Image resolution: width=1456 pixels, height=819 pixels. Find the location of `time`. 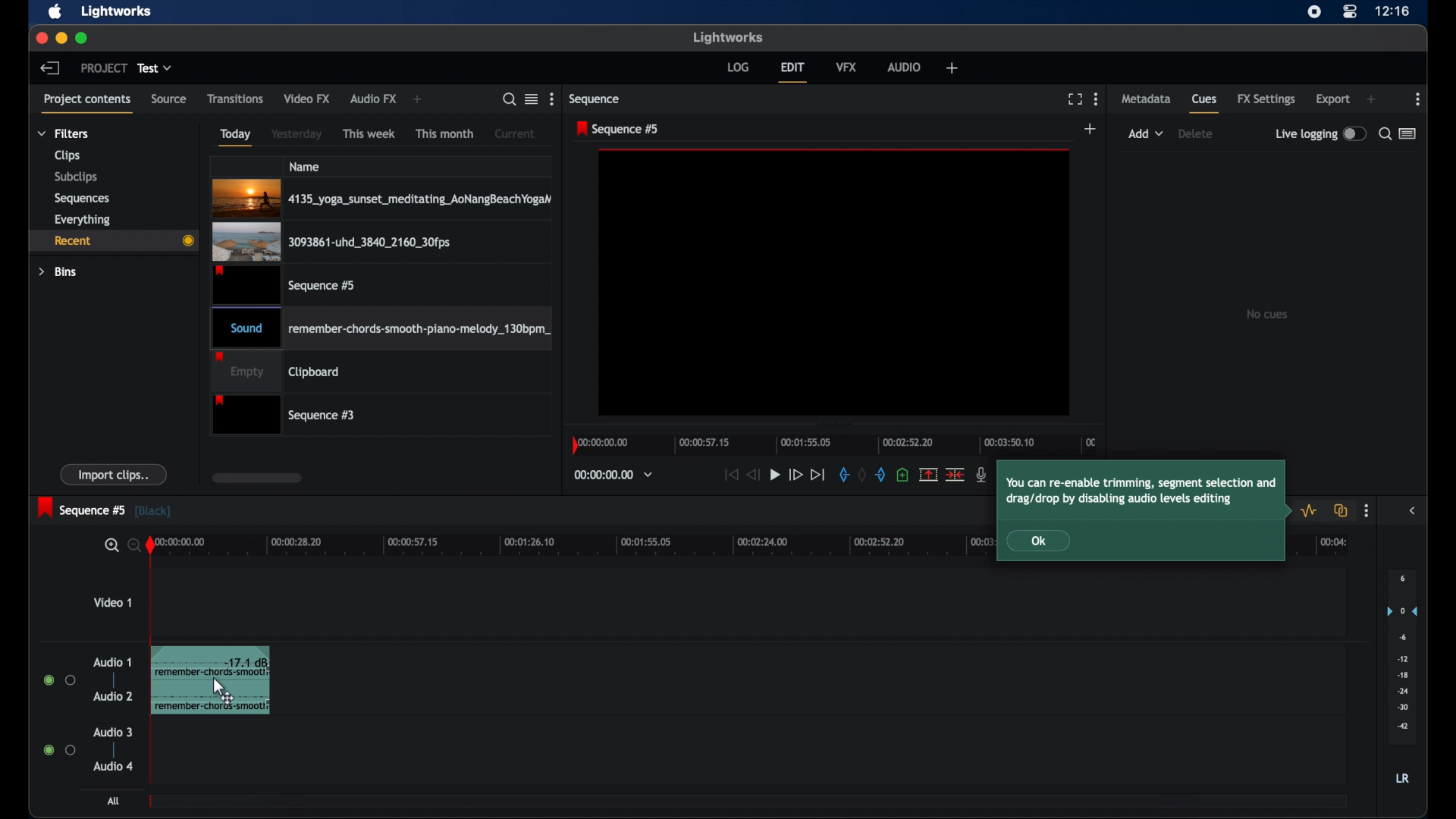

time is located at coordinates (1392, 12).